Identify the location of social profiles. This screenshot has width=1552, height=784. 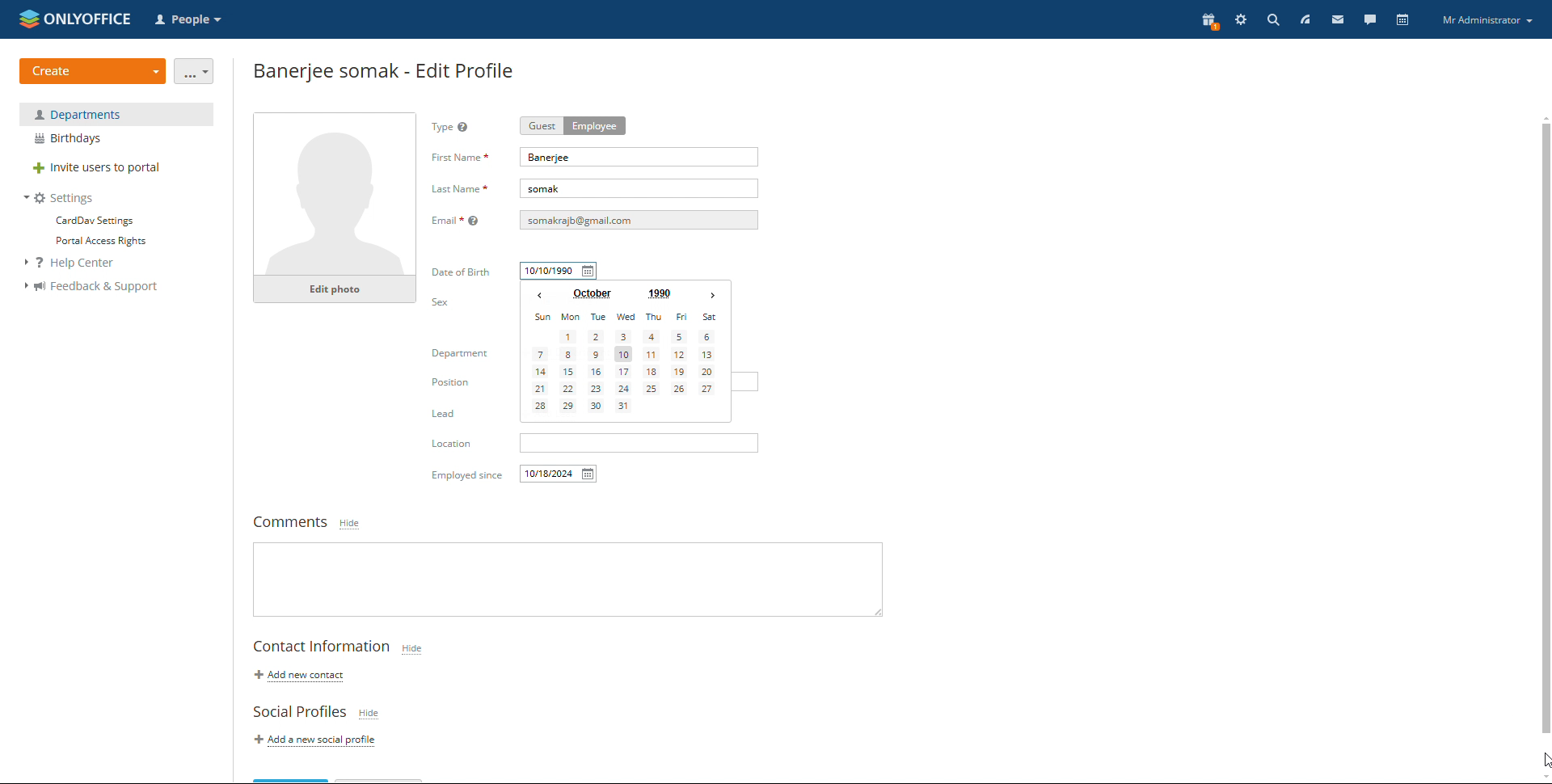
(298, 712).